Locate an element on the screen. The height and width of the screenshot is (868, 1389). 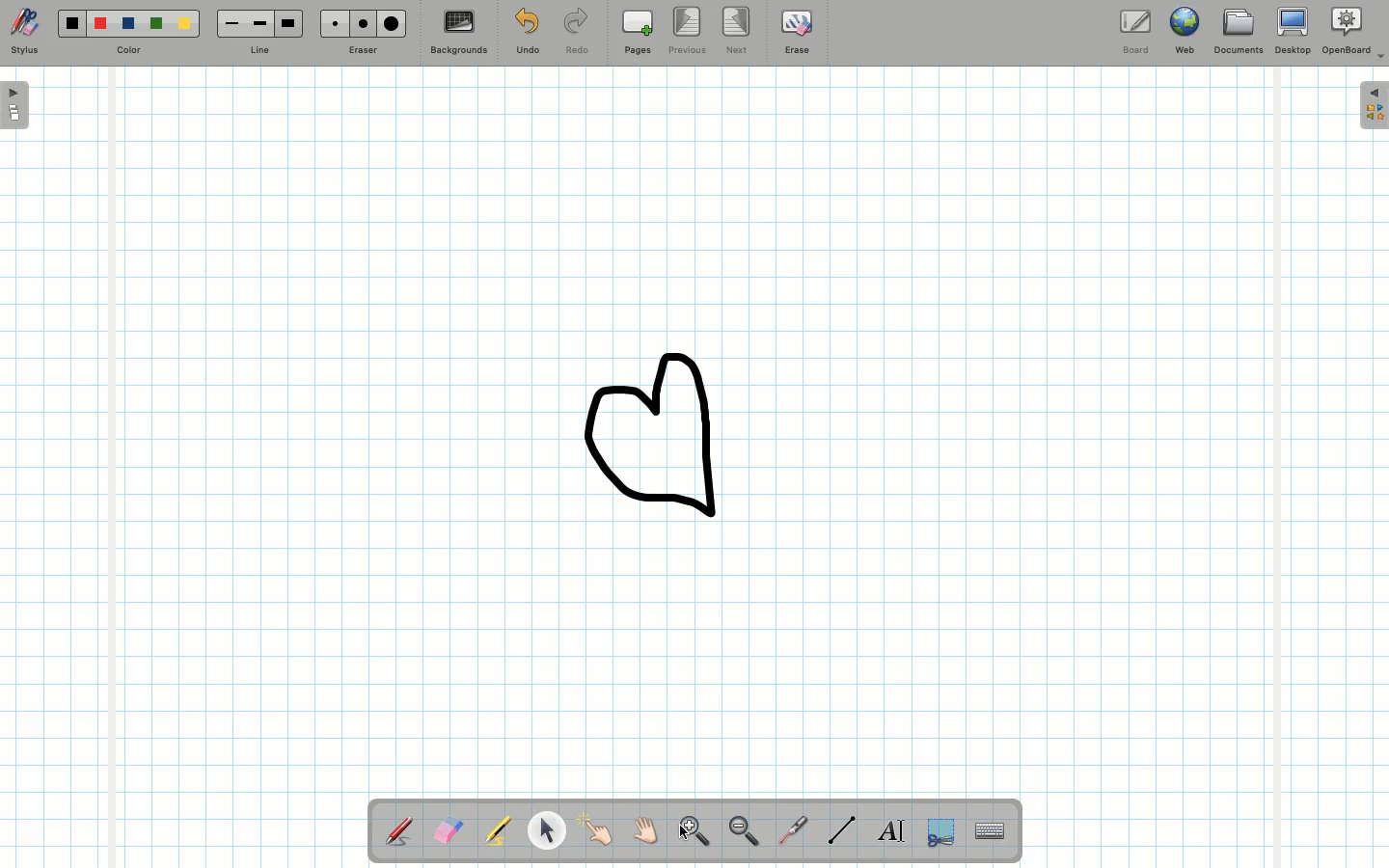
Redo is located at coordinates (574, 33).